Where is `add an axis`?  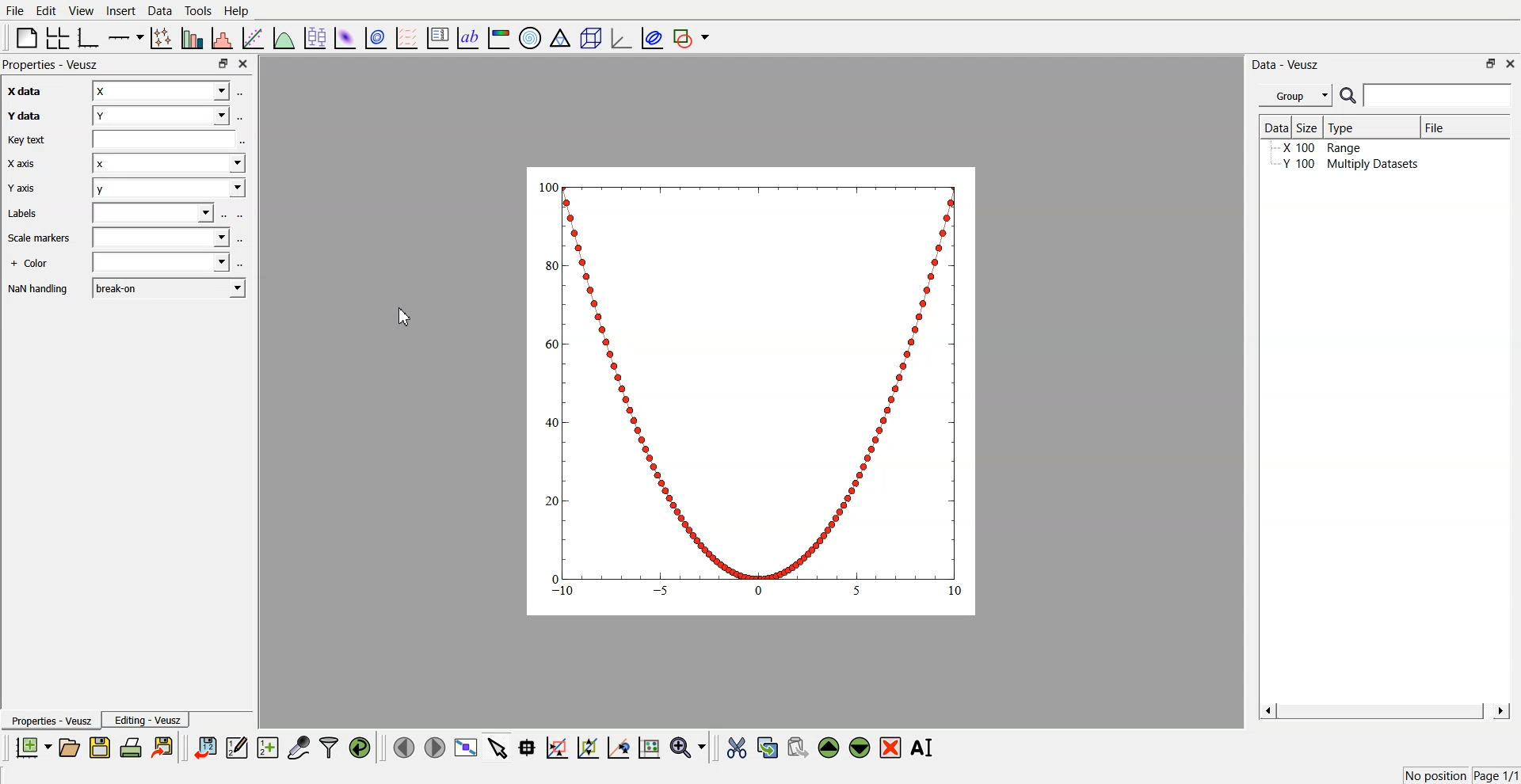
add an axis is located at coordinates (127, 37).